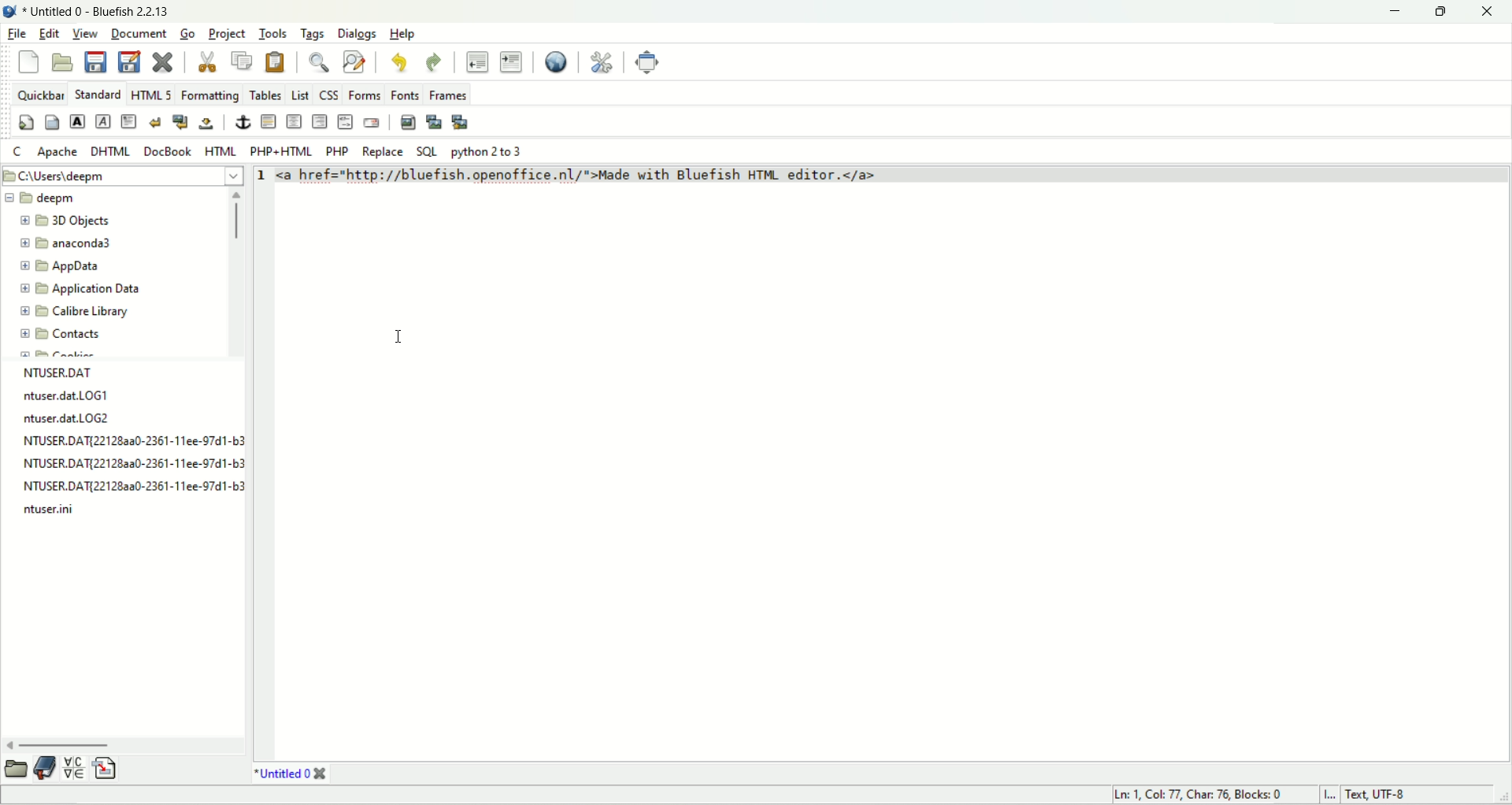 The height and width of the screenshot is (805, 1512). I want to click on document, so click(137, 33).